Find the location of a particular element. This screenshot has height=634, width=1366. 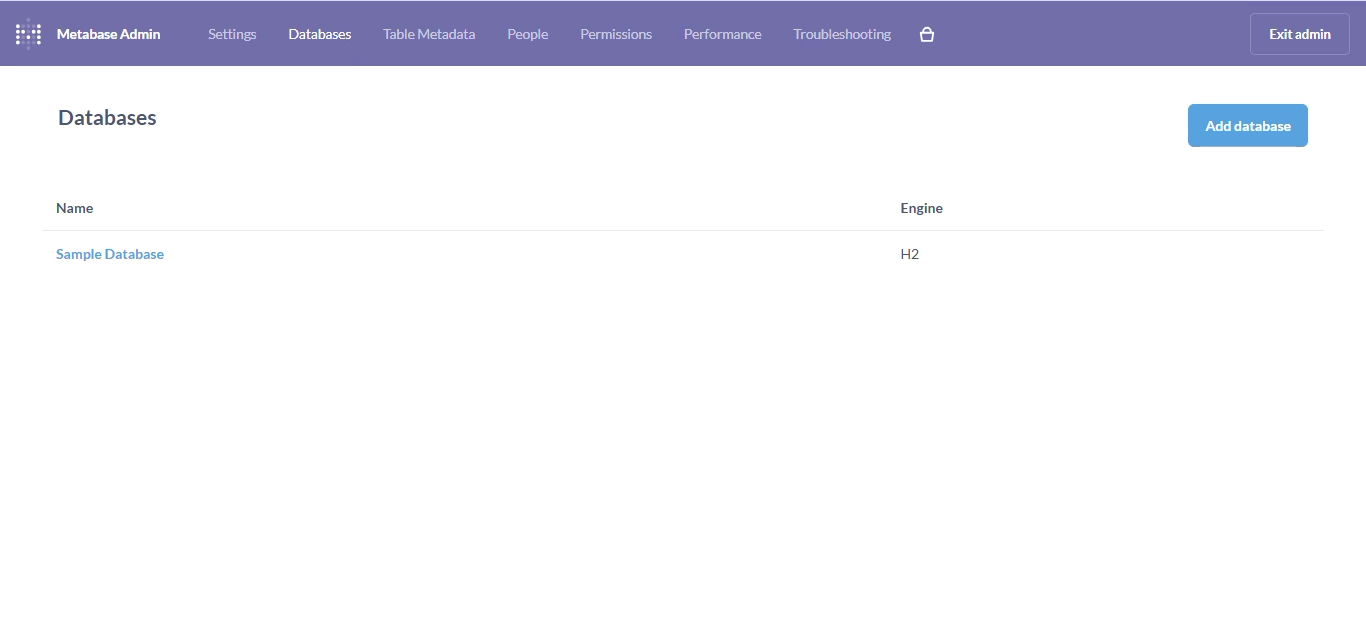

table metadata is located at coordinates (430, 34).